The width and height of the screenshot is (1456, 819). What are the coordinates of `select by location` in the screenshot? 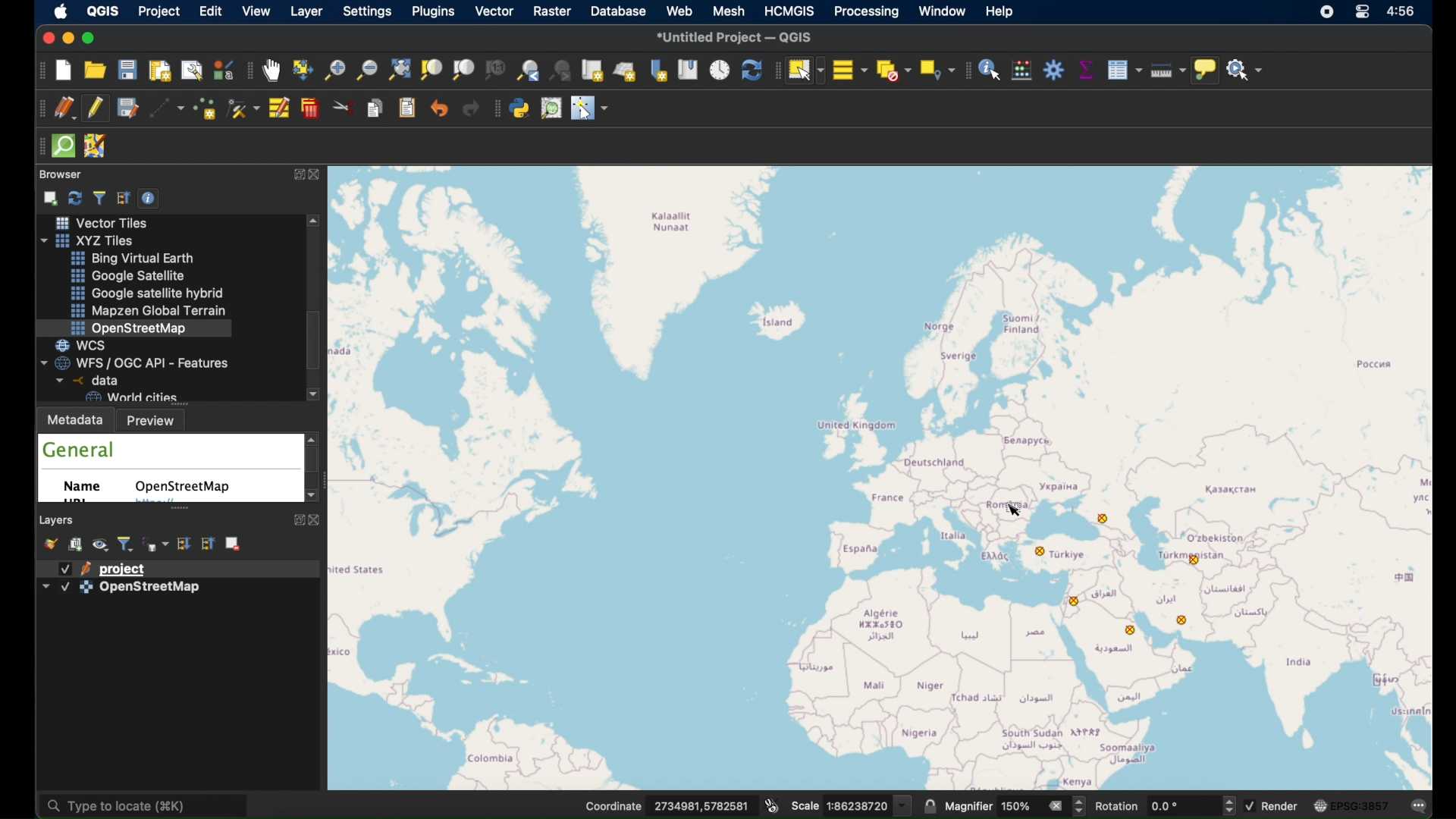 It's located at (935, 70).